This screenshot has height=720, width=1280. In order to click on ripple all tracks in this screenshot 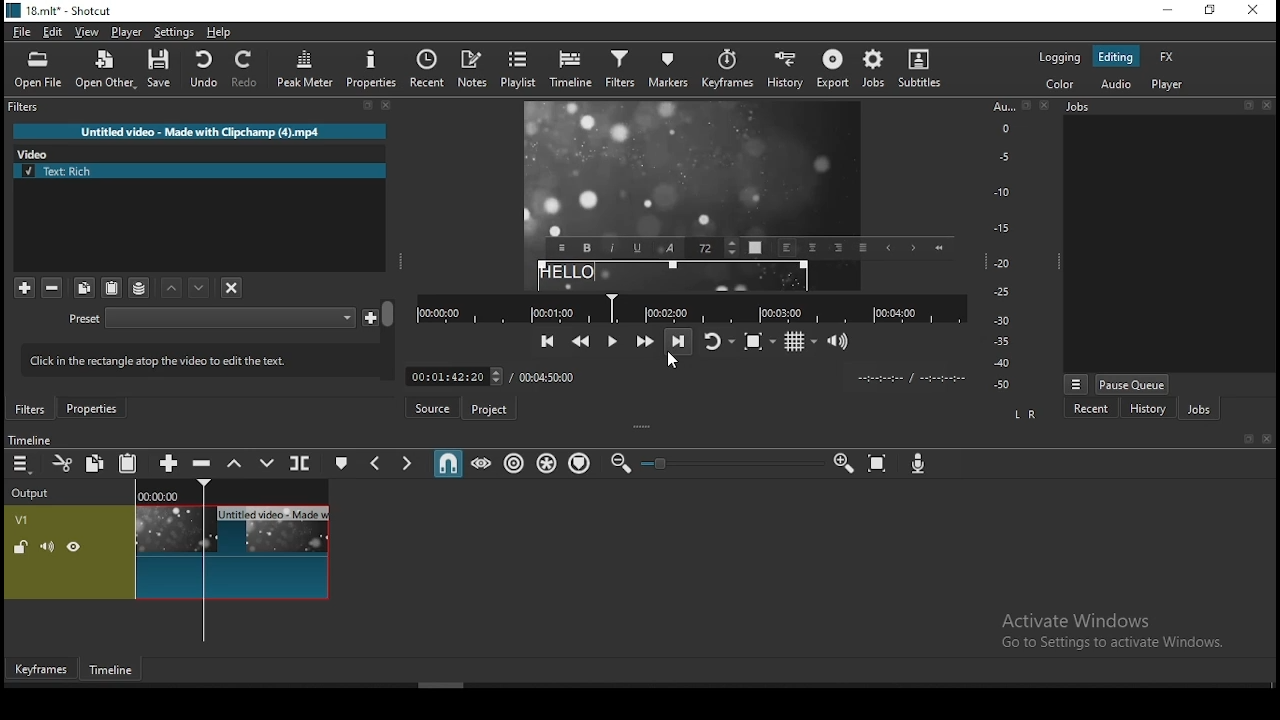, I will do `click(547, 463)`.